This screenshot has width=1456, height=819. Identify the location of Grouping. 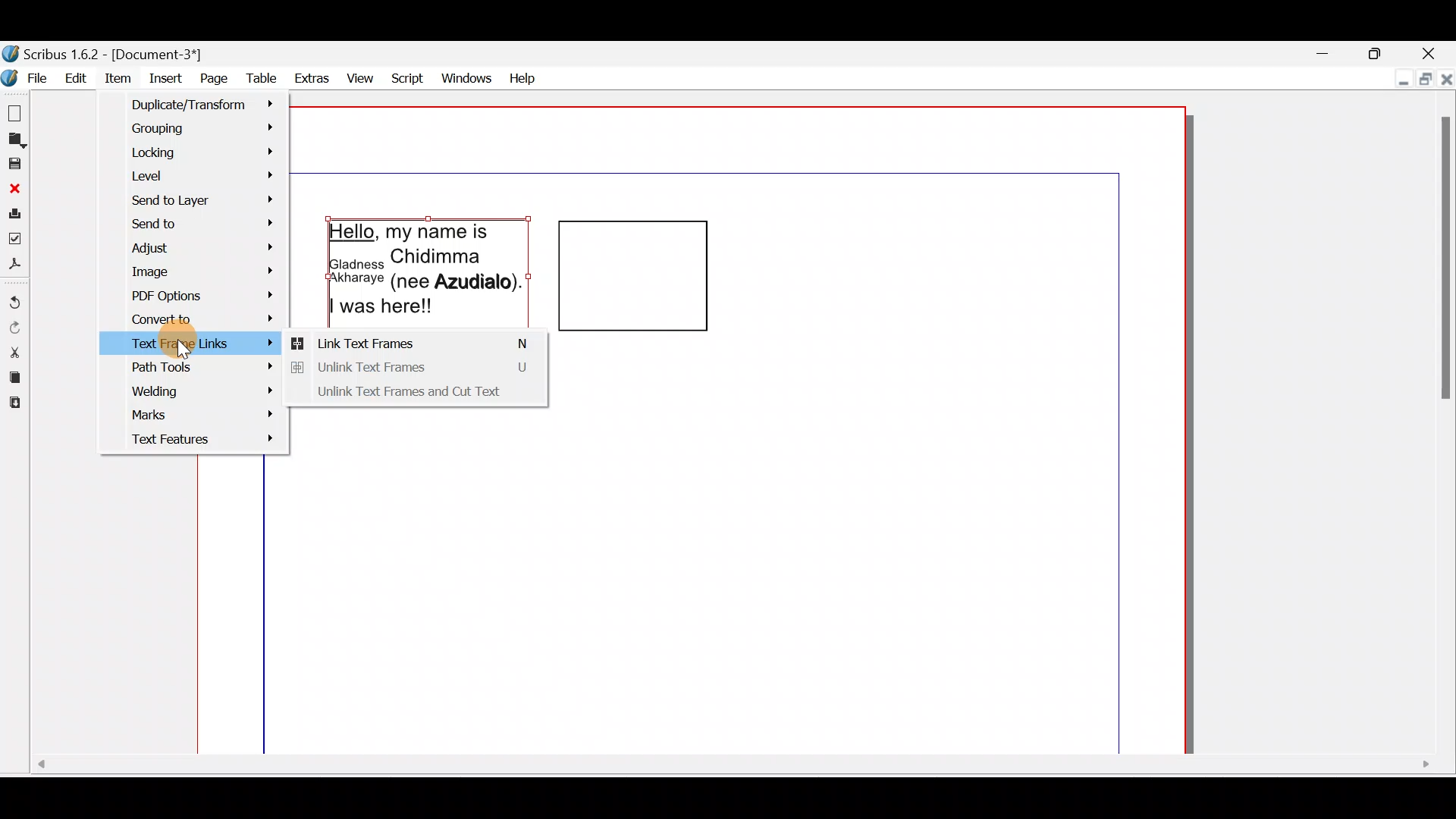
(201, 126).